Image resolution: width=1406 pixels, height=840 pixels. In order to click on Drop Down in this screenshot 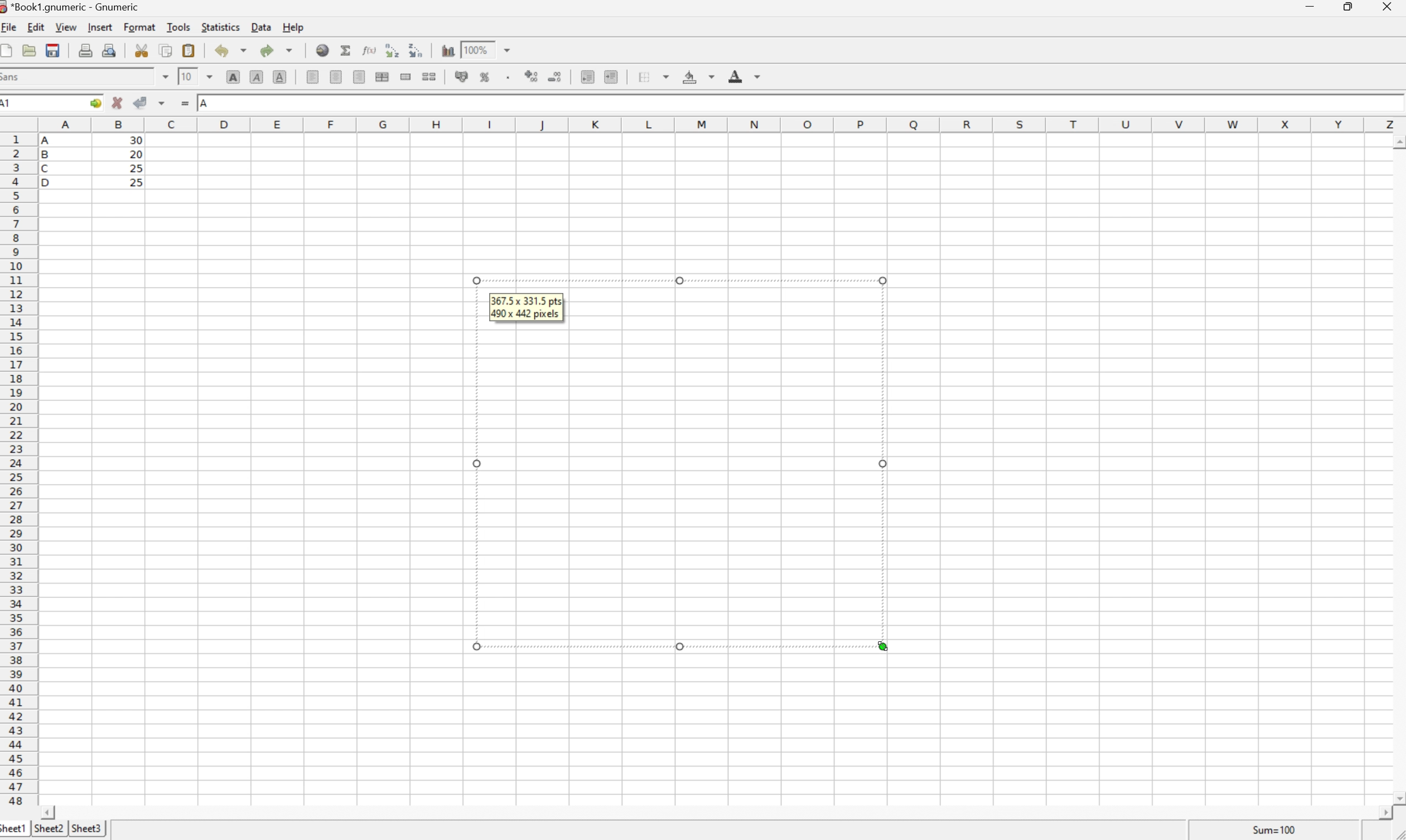, I will do `click(164, 76)`.